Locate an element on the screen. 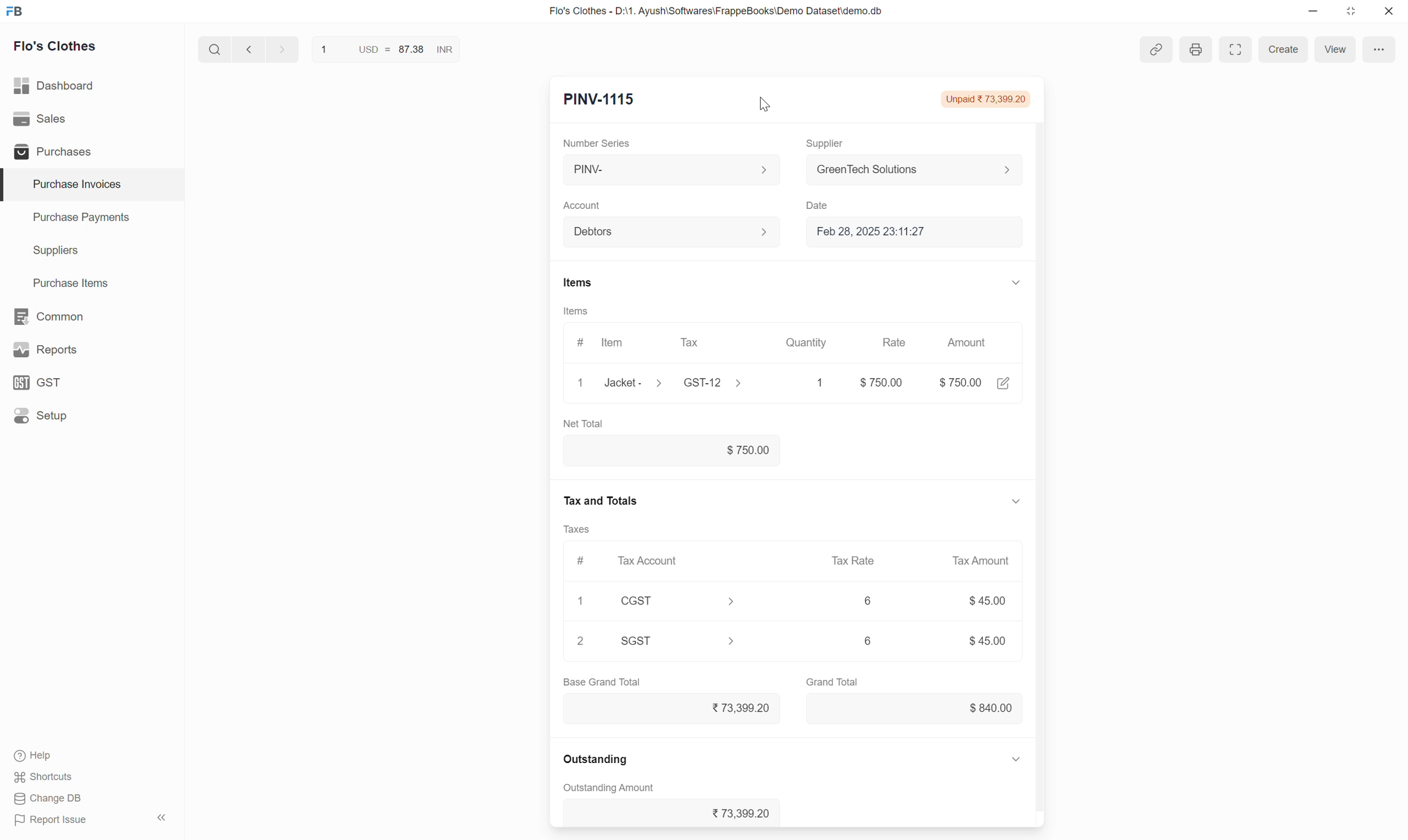 The height and width of the screenshot is (840, 1408). Net Total is located at coordinates (584, 423).